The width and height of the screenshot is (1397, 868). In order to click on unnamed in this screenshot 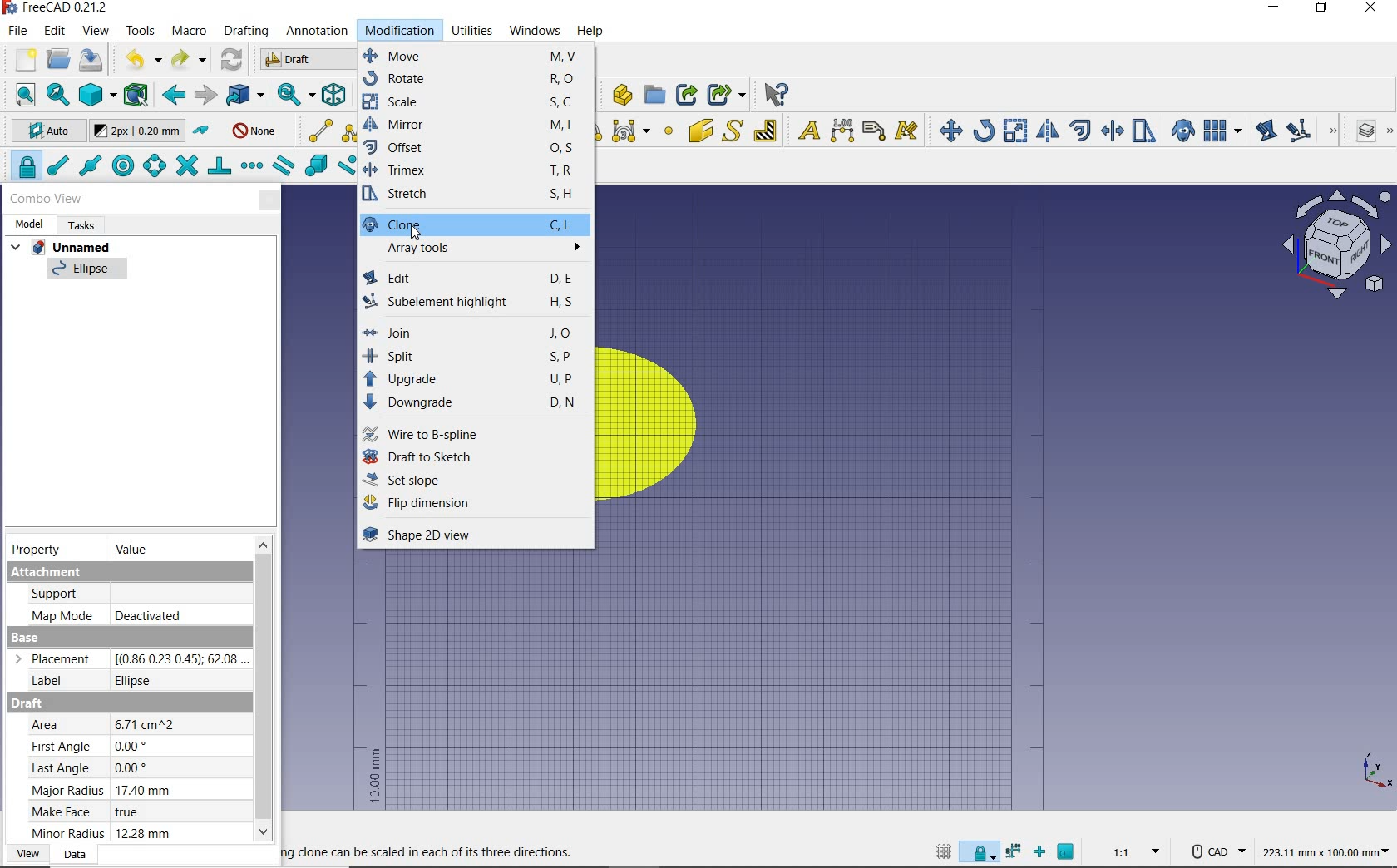, I will do `click(65, 246)`.